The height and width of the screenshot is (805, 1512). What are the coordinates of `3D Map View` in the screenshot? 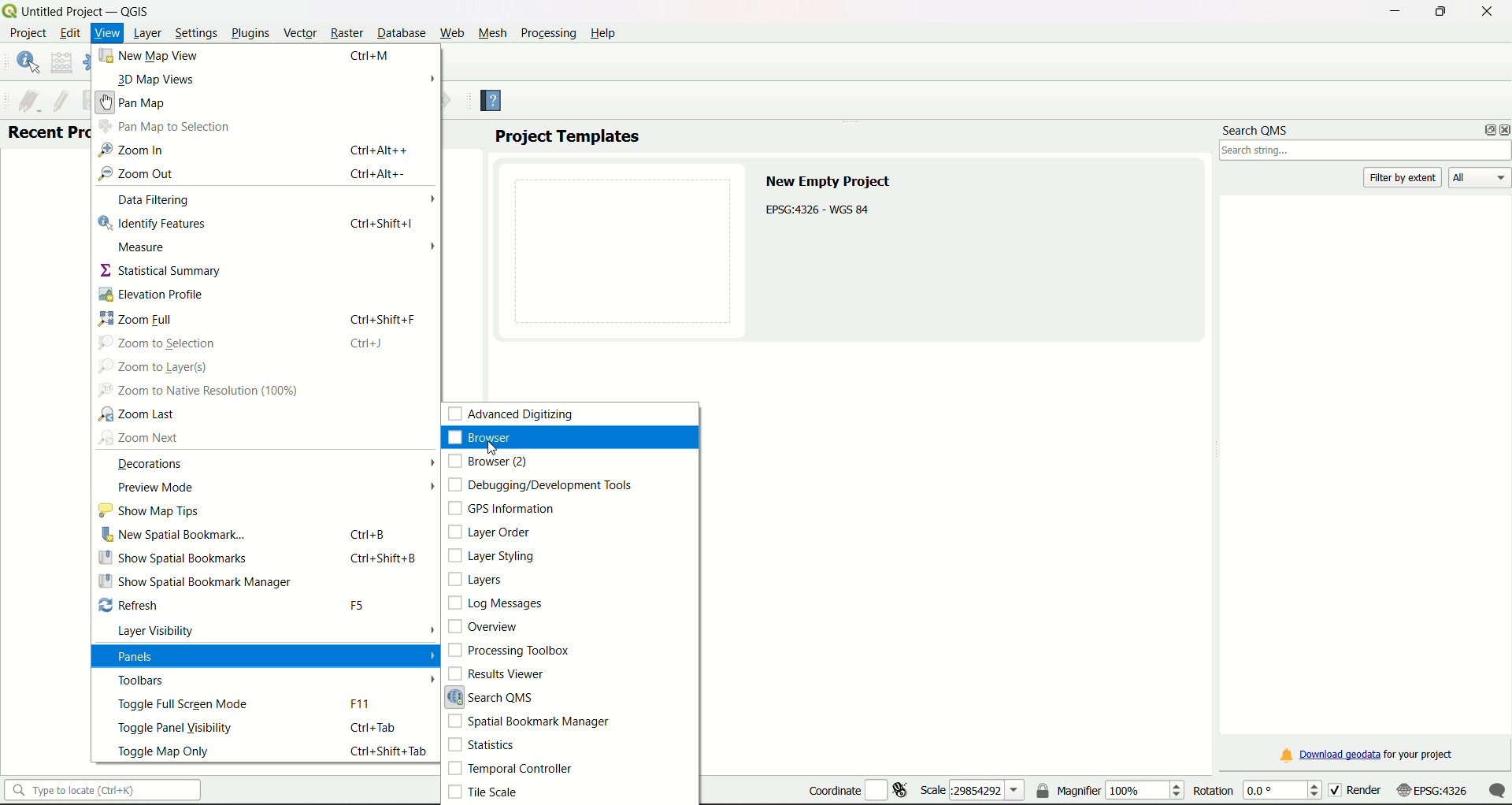 It's located at (153, 80).